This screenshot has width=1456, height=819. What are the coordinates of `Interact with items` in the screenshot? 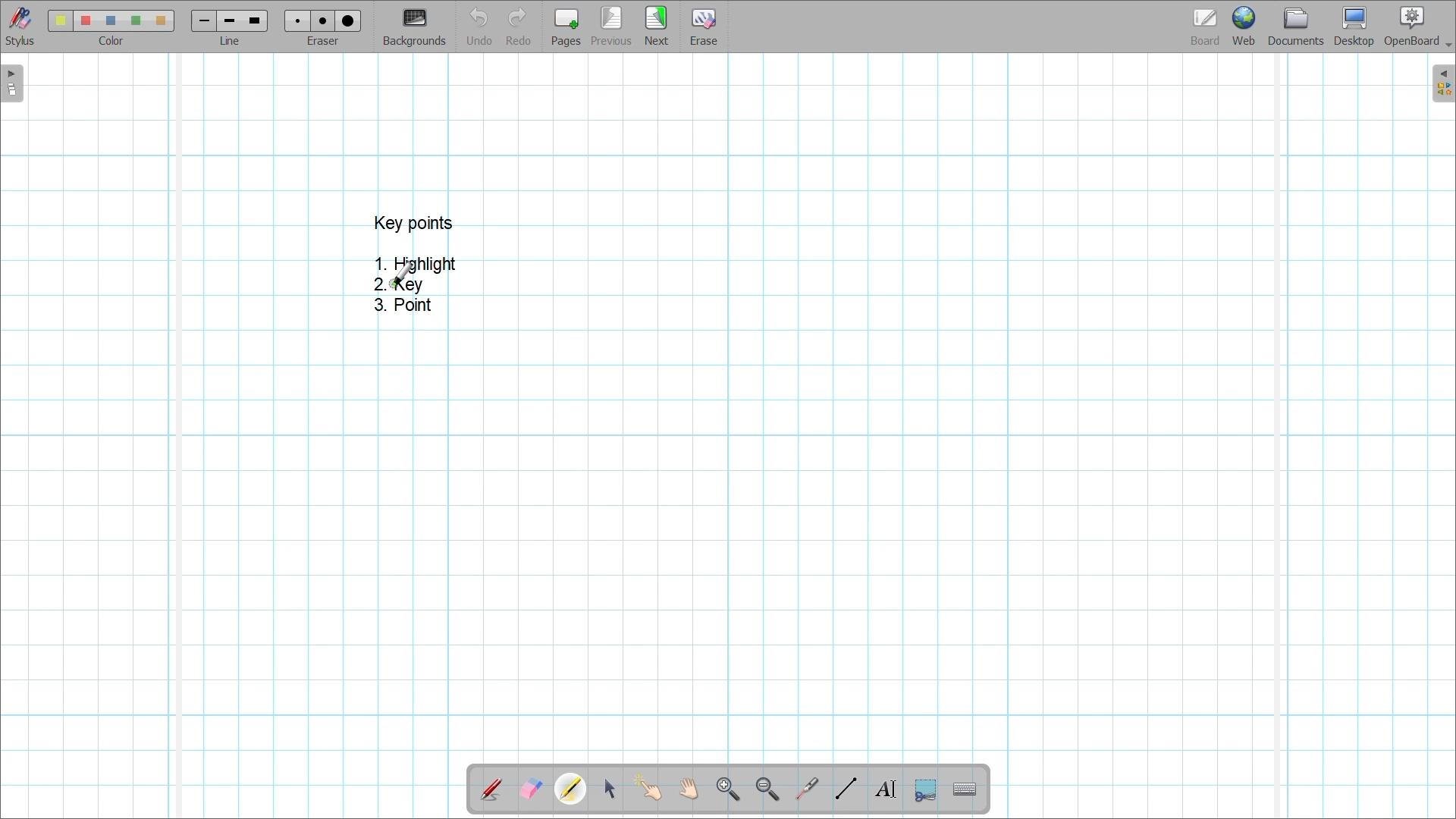 It's located at (648, 788).